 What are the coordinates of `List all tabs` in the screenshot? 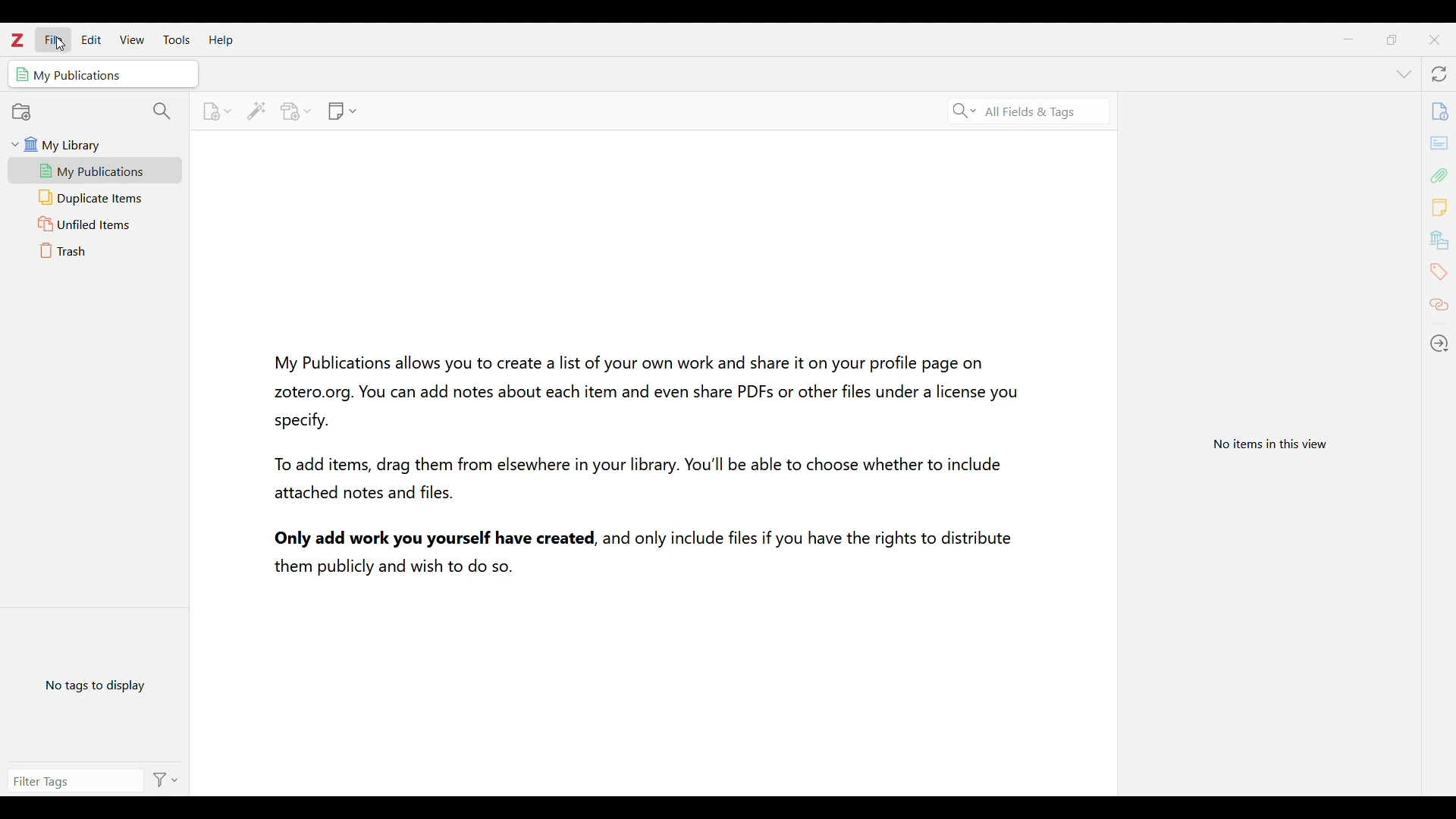 It's located at (1403, 74).